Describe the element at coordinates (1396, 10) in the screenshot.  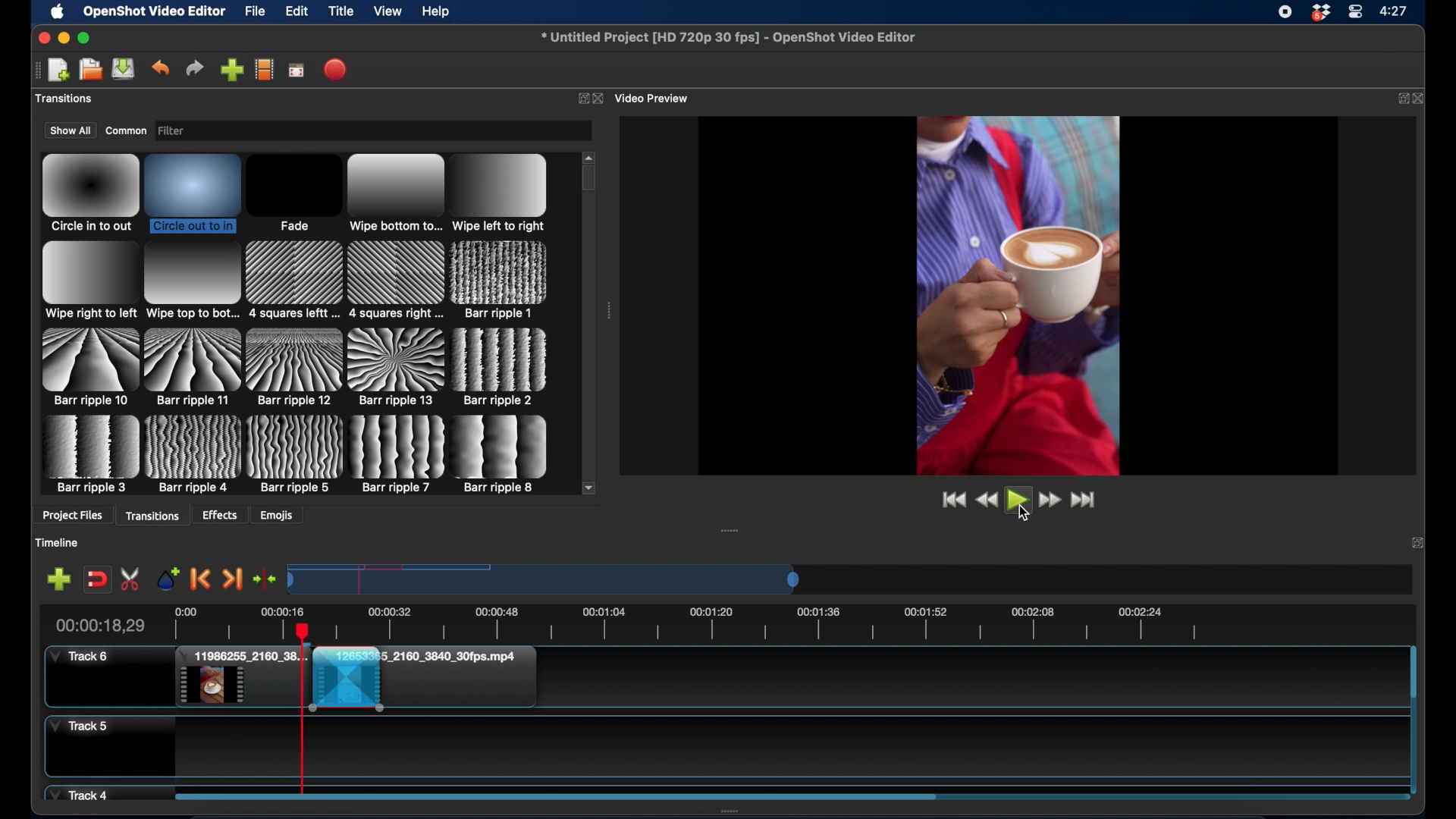
I see `time` at that location.